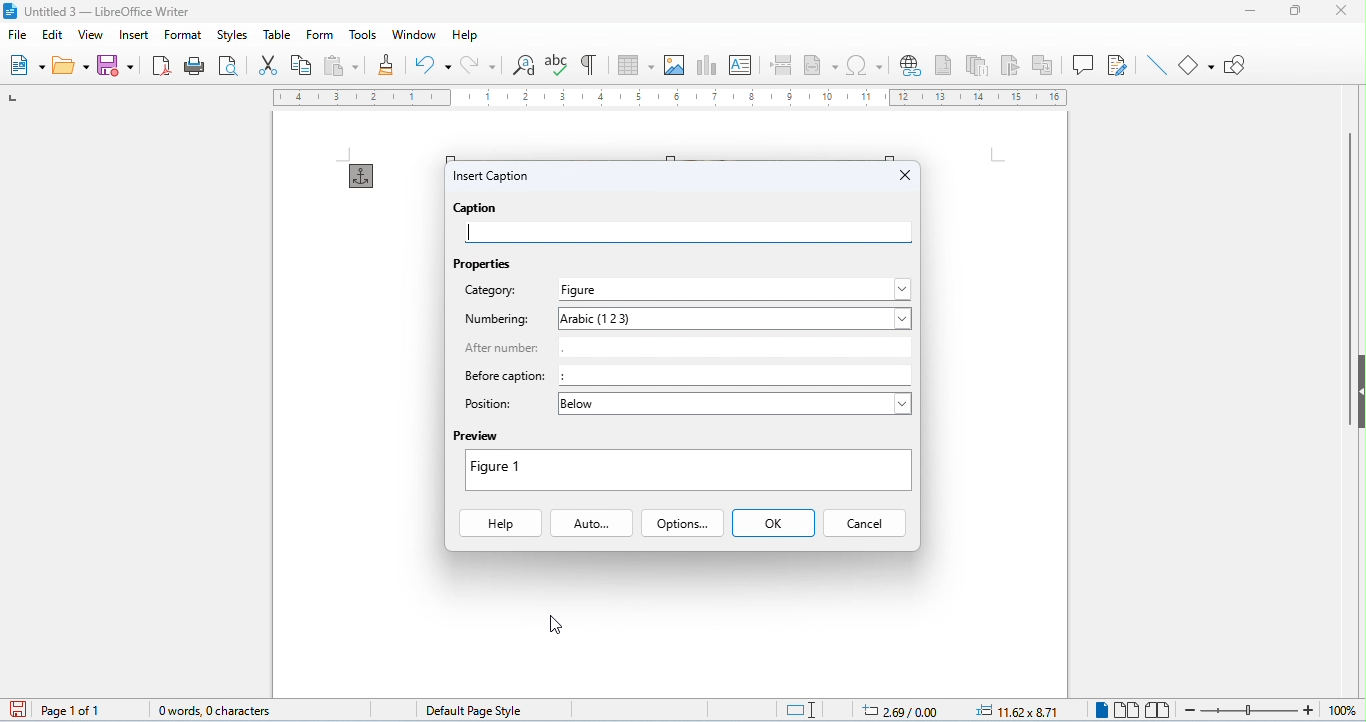  What do you see at coordinates (1013, 65) in the screenshot?
I see `insert bookmark` at bounding box center [1013, 65].